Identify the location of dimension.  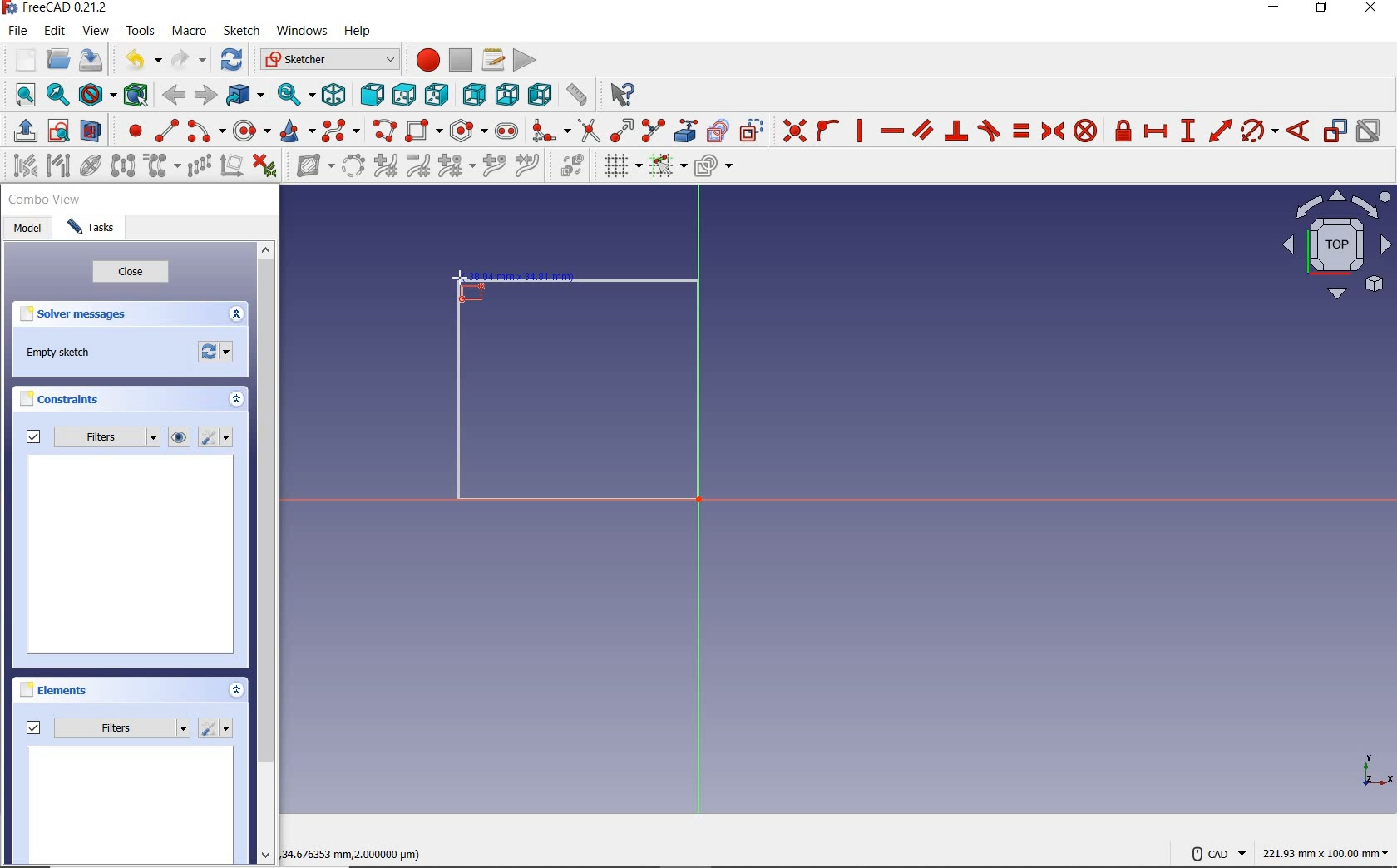
(1328, 852).